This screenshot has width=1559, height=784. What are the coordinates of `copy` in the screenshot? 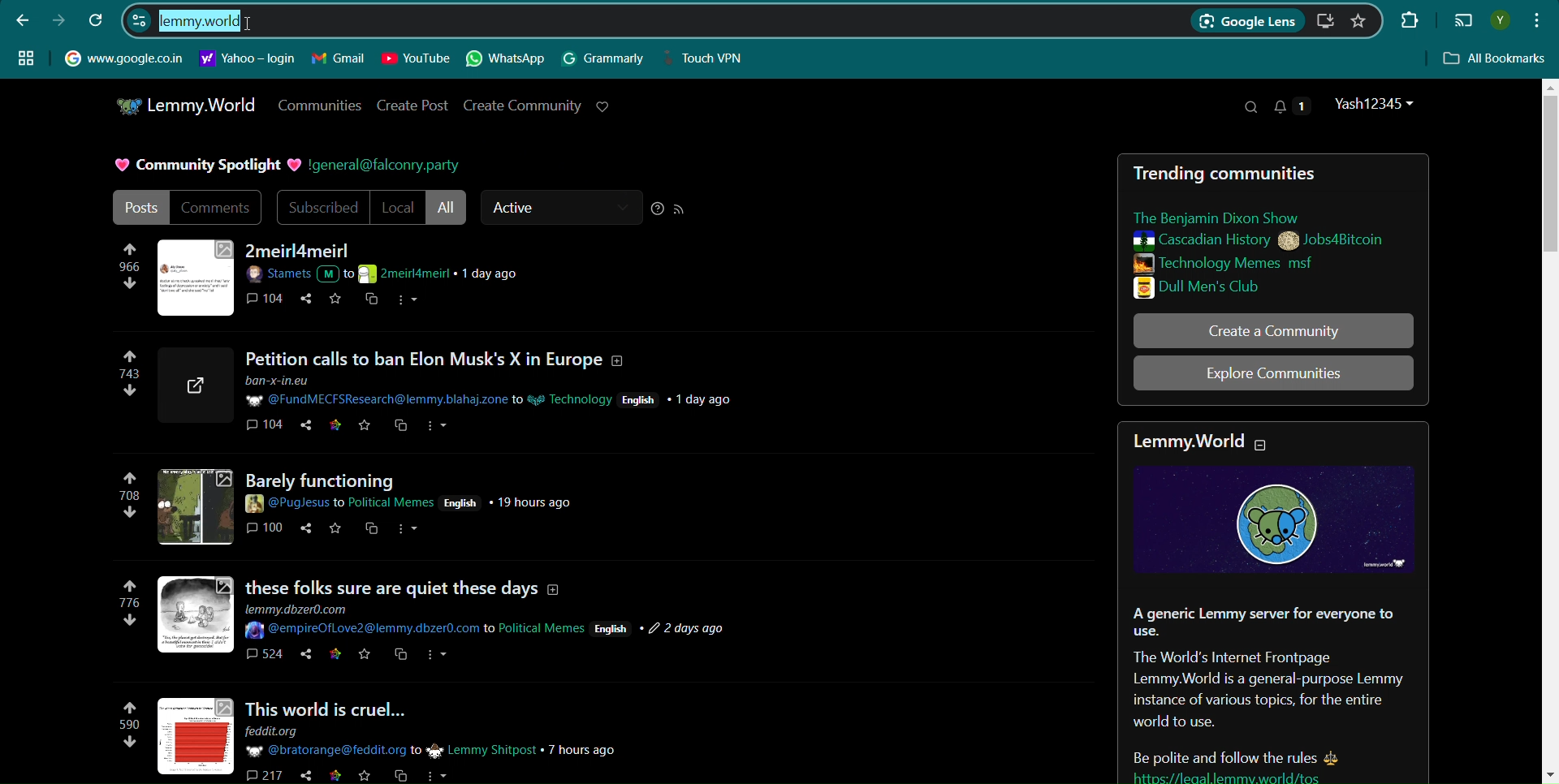 It's located at (397, 776).